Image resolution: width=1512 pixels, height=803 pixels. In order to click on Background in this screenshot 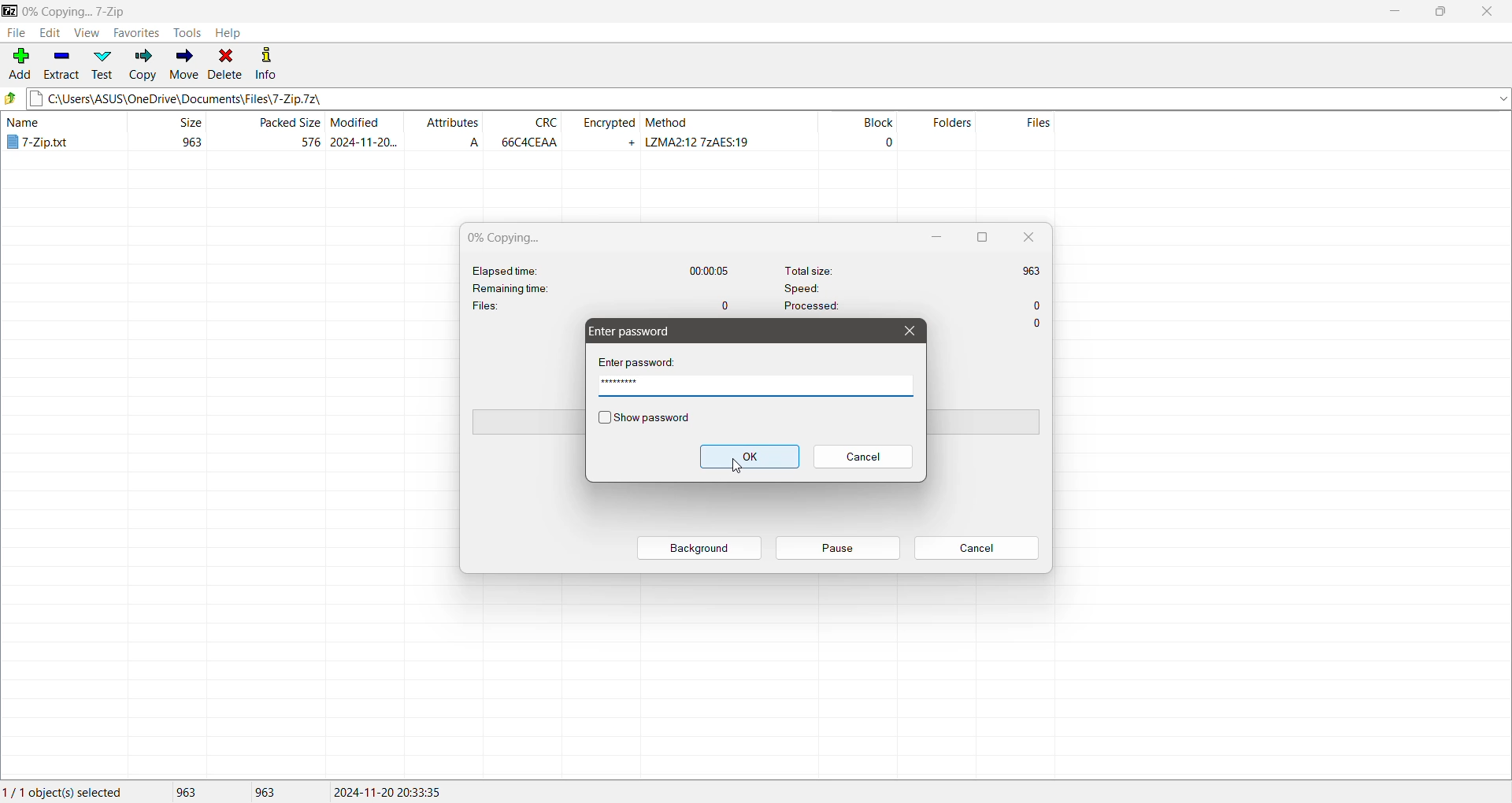, I will do `click(701, 548)`.